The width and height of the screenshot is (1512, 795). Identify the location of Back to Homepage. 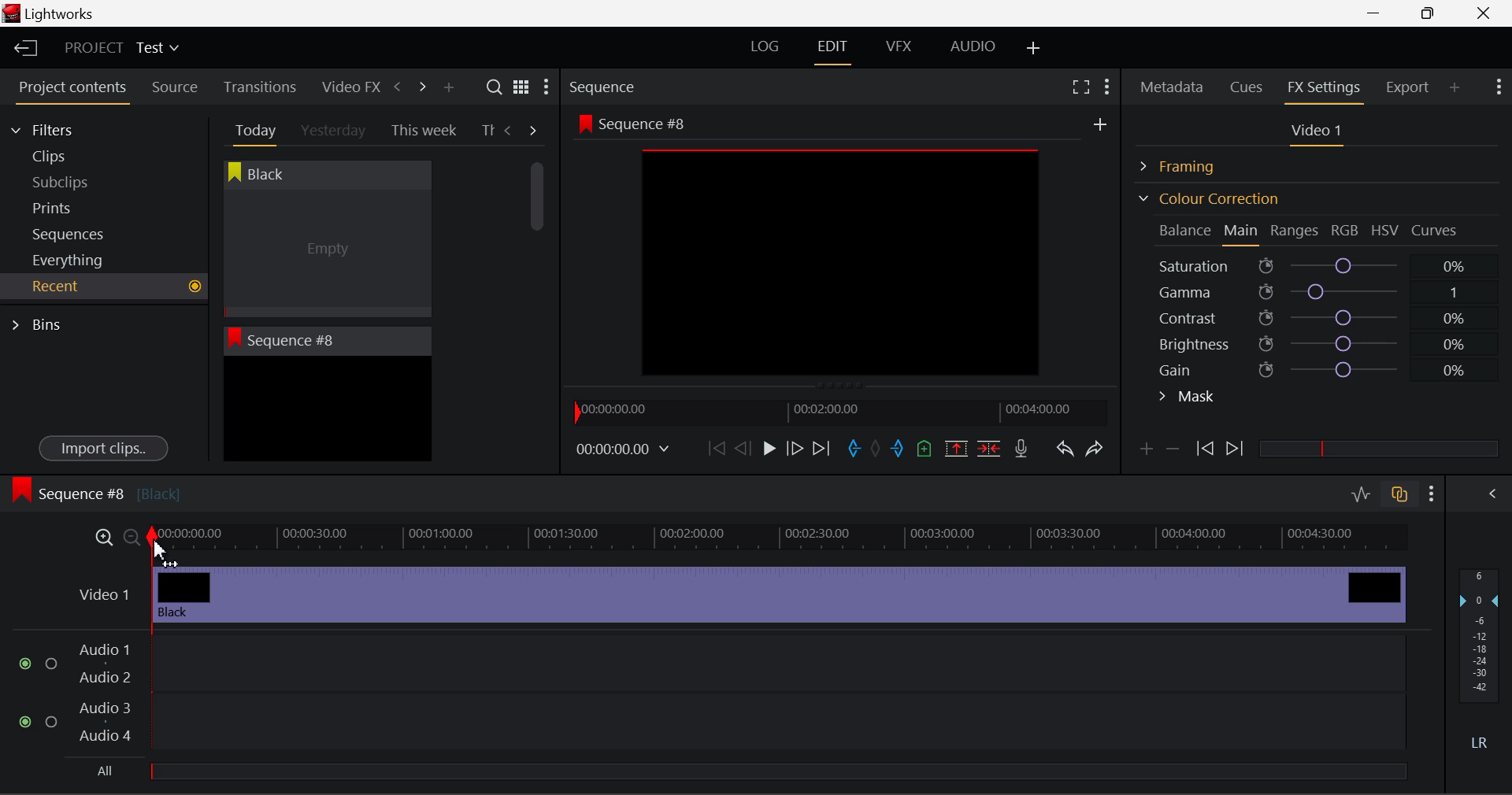
(20, 49).